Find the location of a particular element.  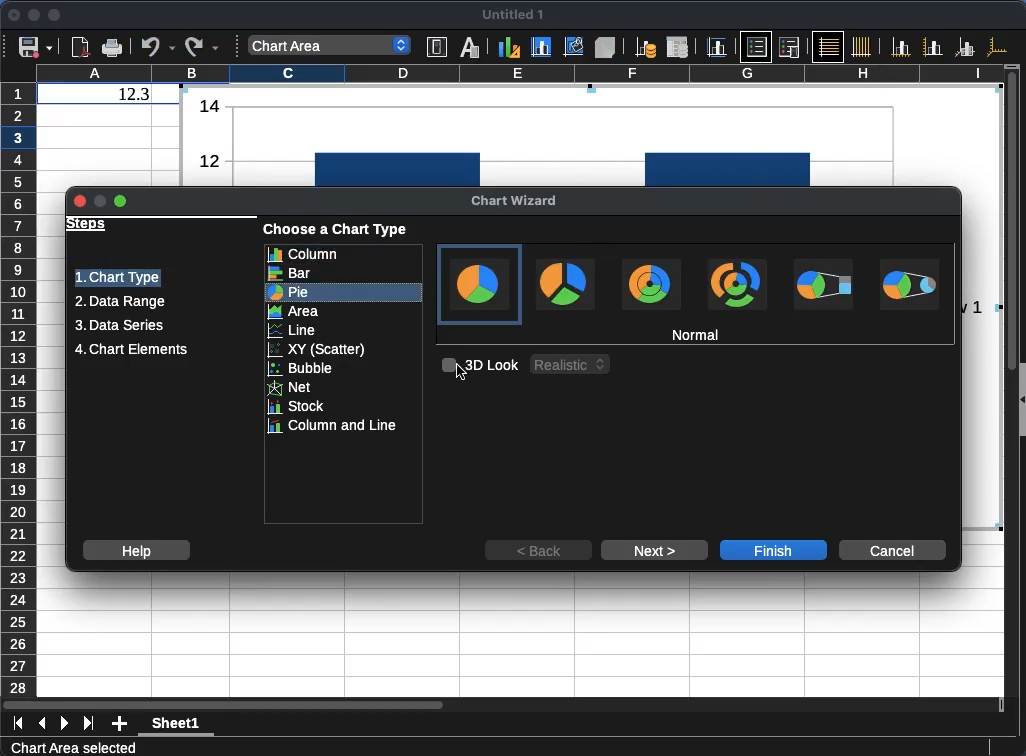

net is located at coordinates (344, 388).